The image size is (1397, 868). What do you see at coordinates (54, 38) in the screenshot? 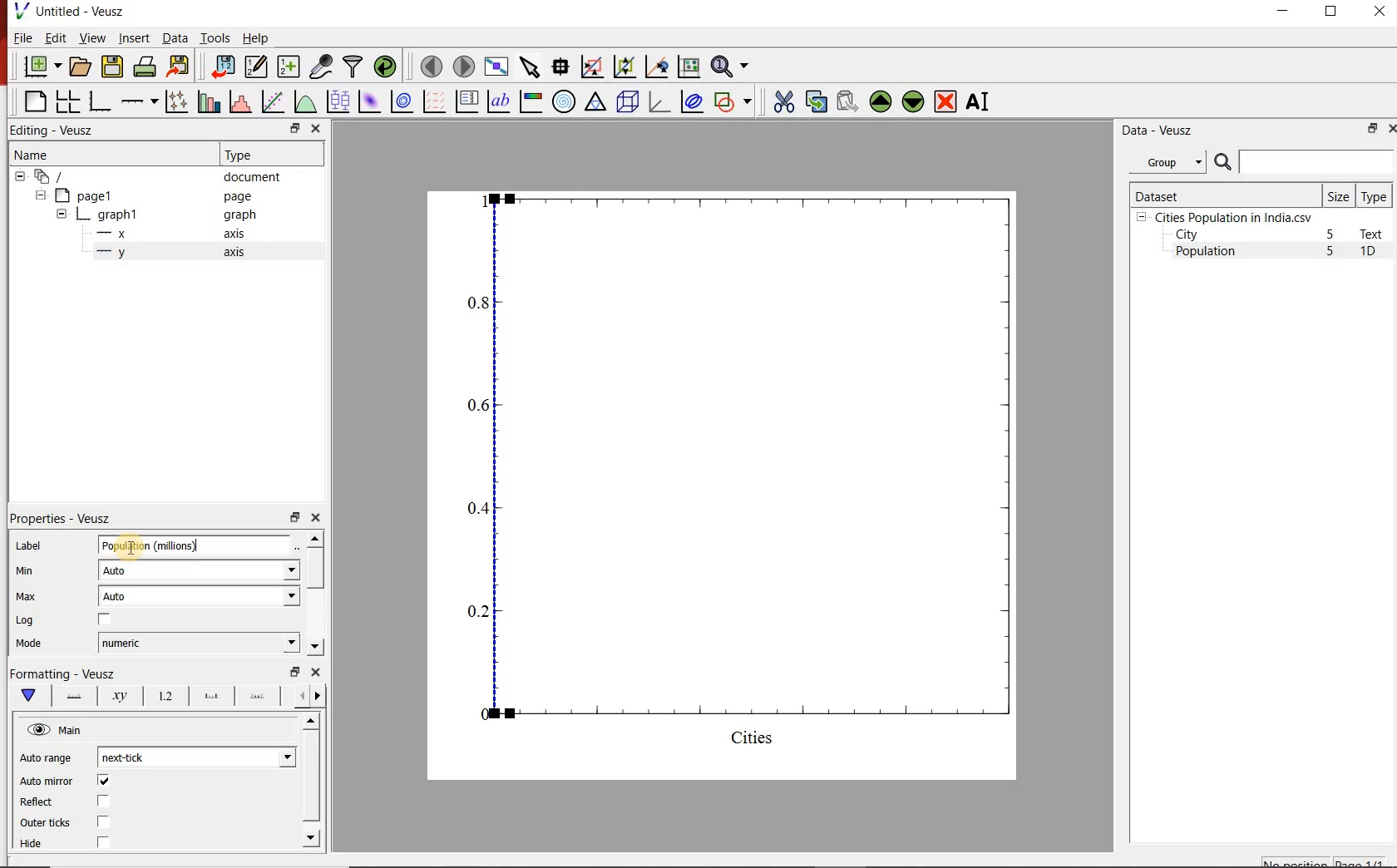
I see `Edit` at bounding box center [54, 38].